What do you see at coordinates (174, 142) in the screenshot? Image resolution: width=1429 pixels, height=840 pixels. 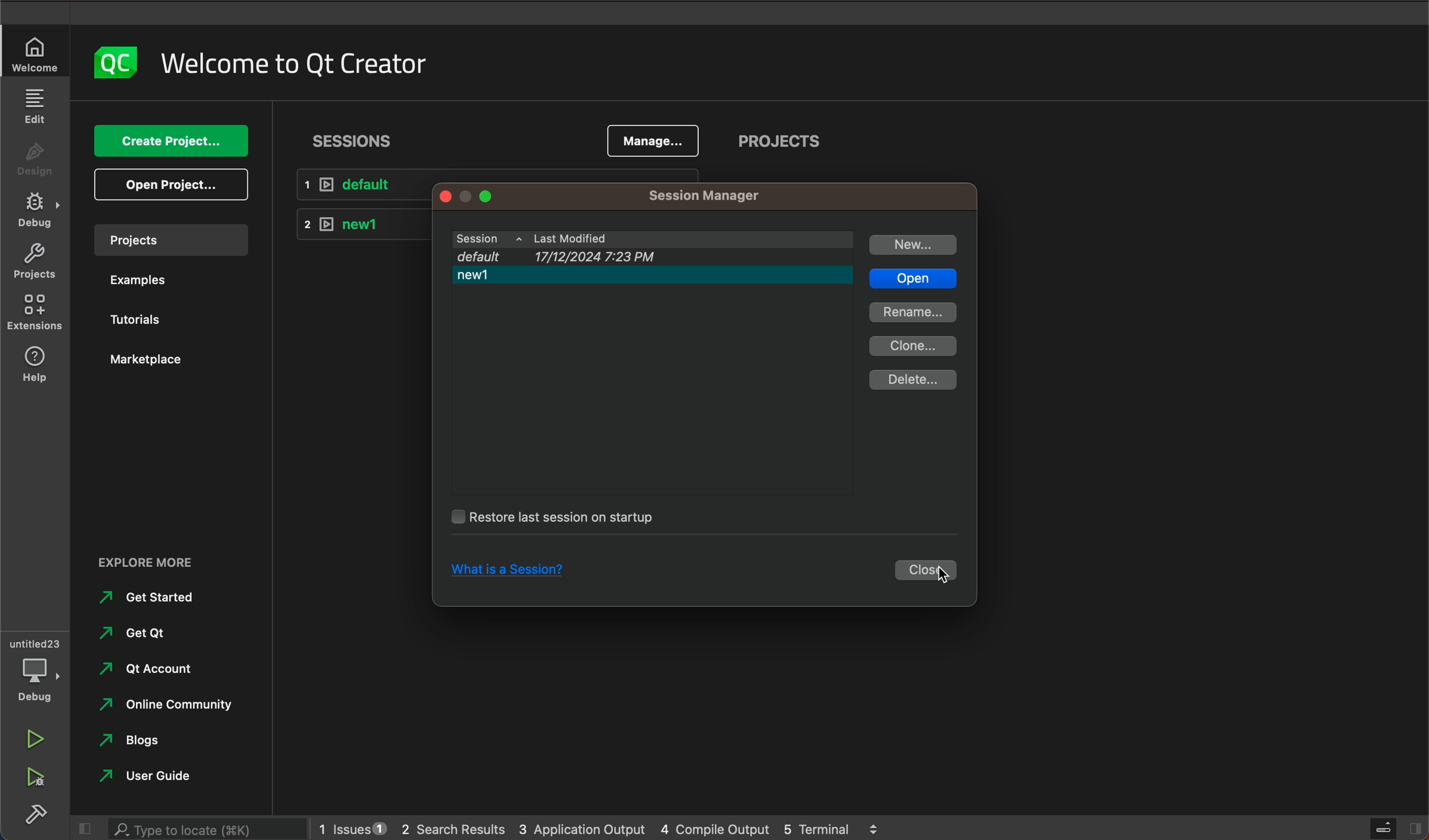 I see `create project` at bounding box center [174, 142].